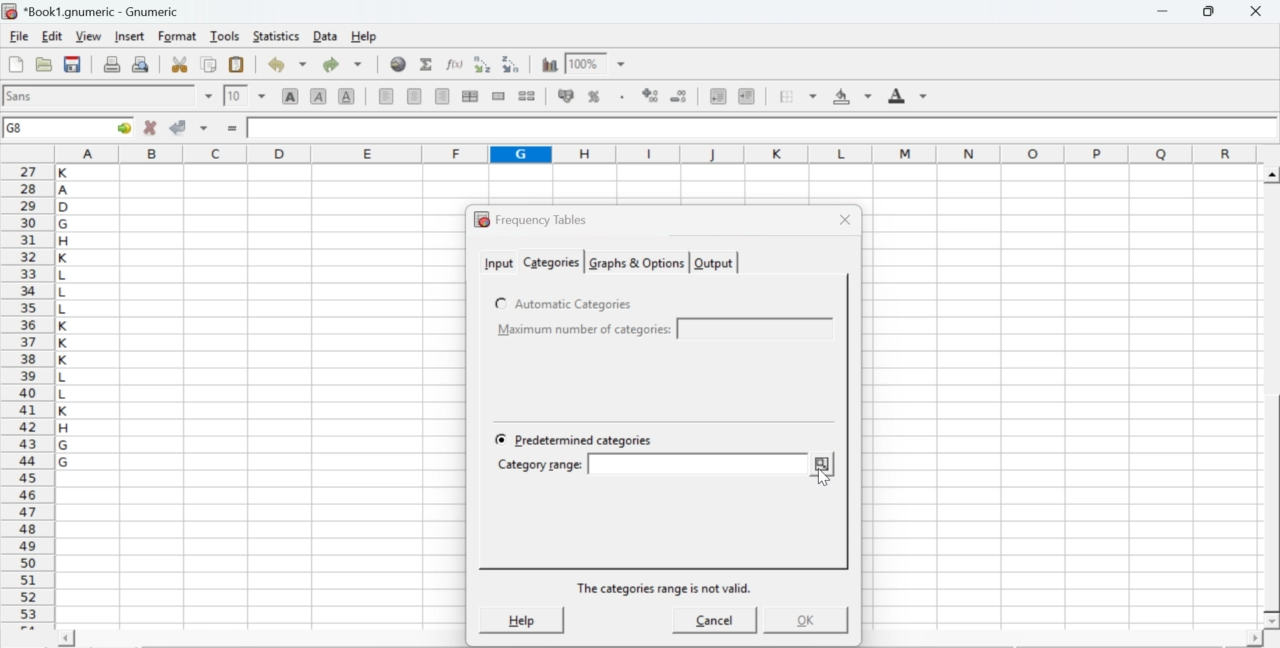 Image resolution: width=1280 pixels, height=648 pixels. Describe the element at coordinates (235, 96) in the screenshot. I see `10` at that location.